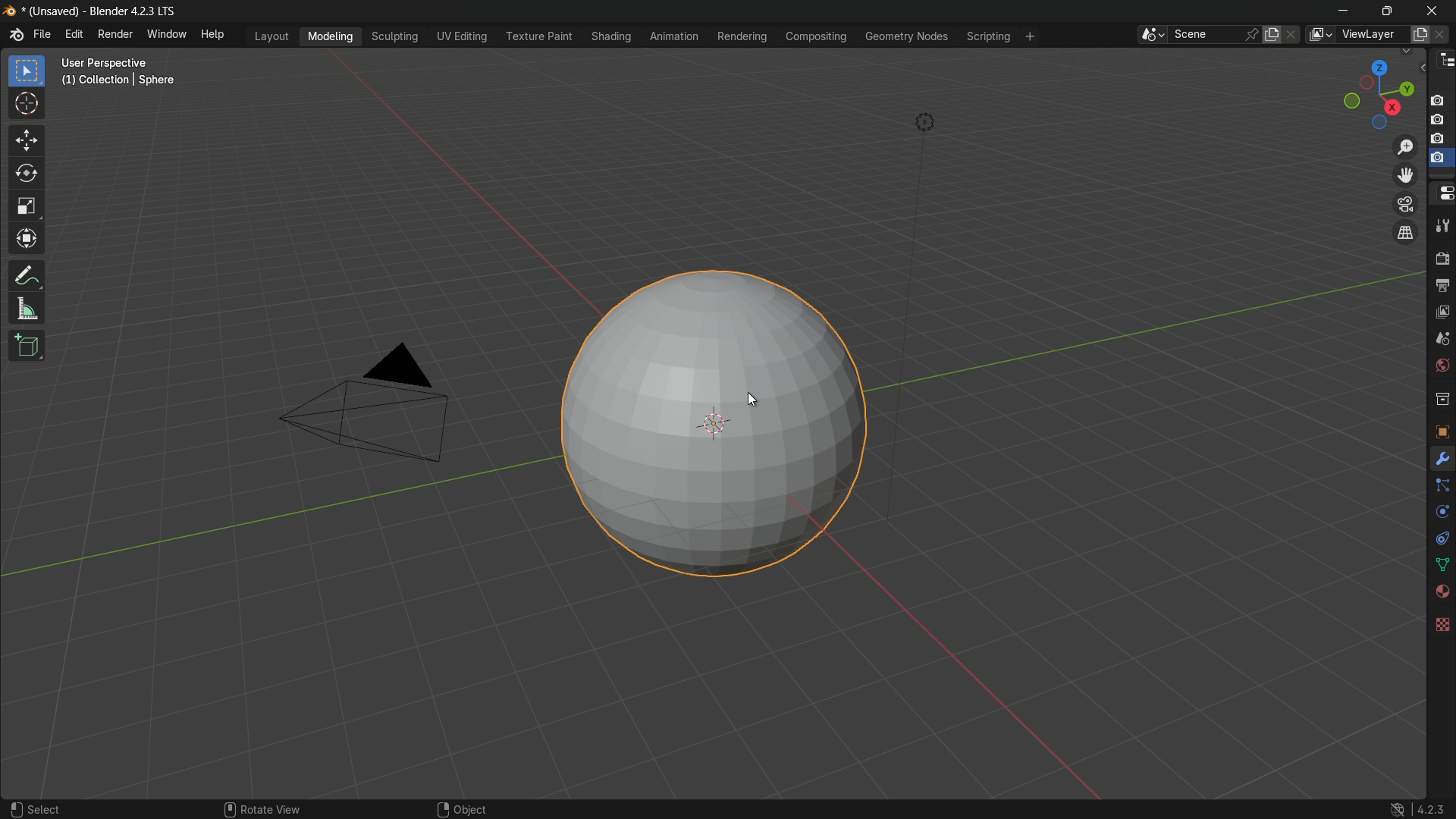 The width and height of the screenshot is (1456, 819). Describe the element at coordinates (43, 36) in the screenshot. I see `file menu` at that location.